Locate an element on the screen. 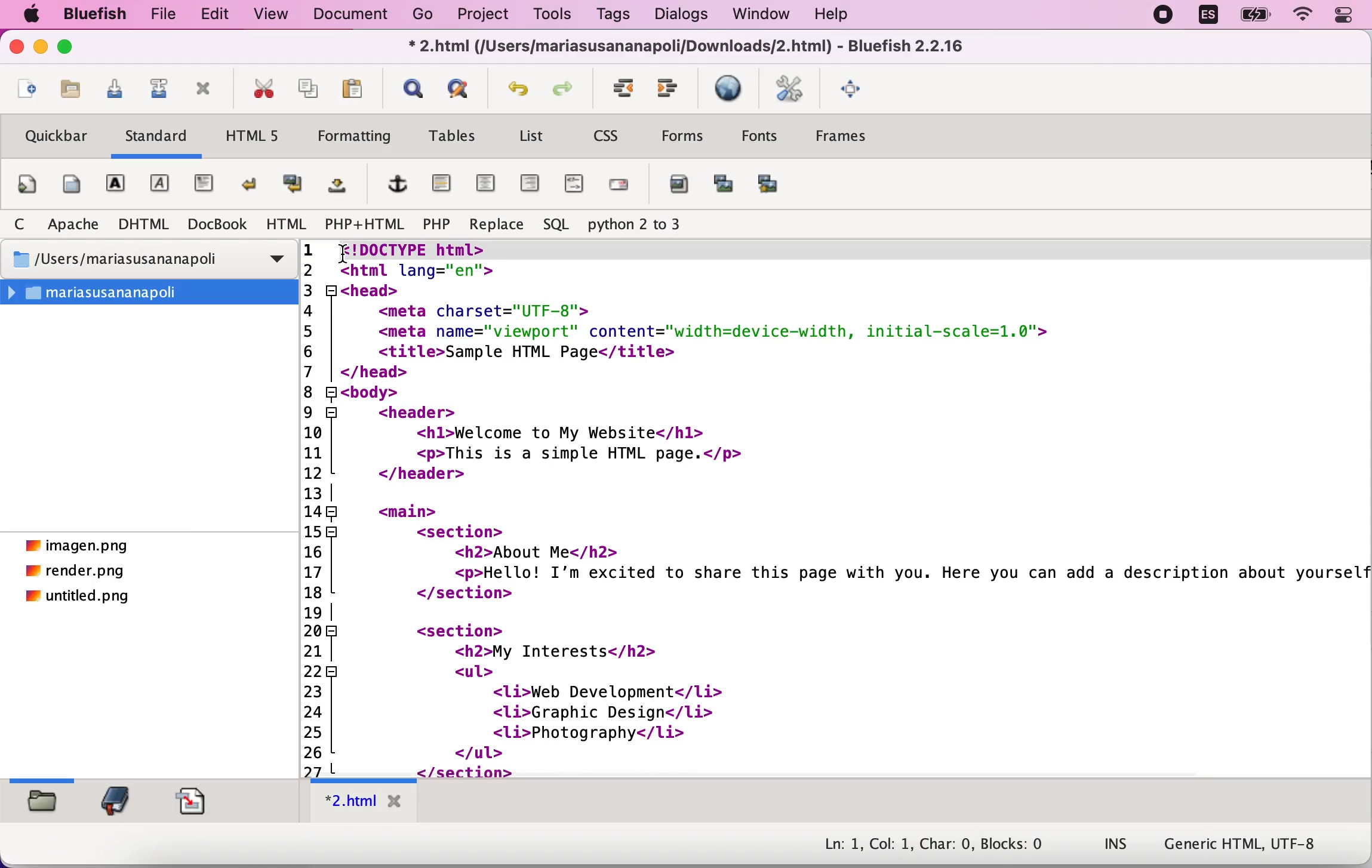 This screenshot has width=1372, height=868. save as is located at coordinates (160, 87).